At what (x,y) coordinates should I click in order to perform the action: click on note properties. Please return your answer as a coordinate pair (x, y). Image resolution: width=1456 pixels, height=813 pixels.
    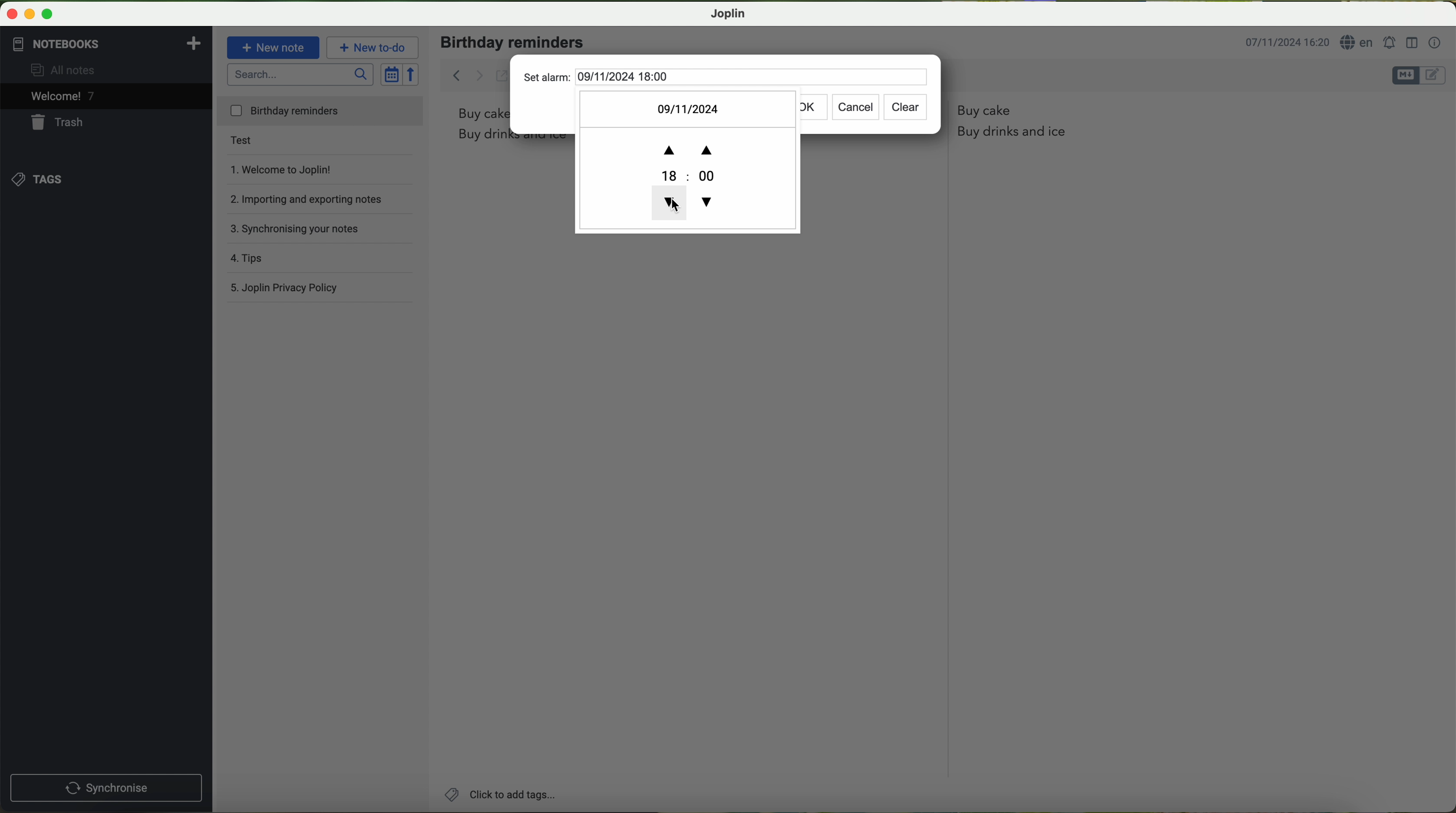
    Looking at the image, I should click on (1436, 43).